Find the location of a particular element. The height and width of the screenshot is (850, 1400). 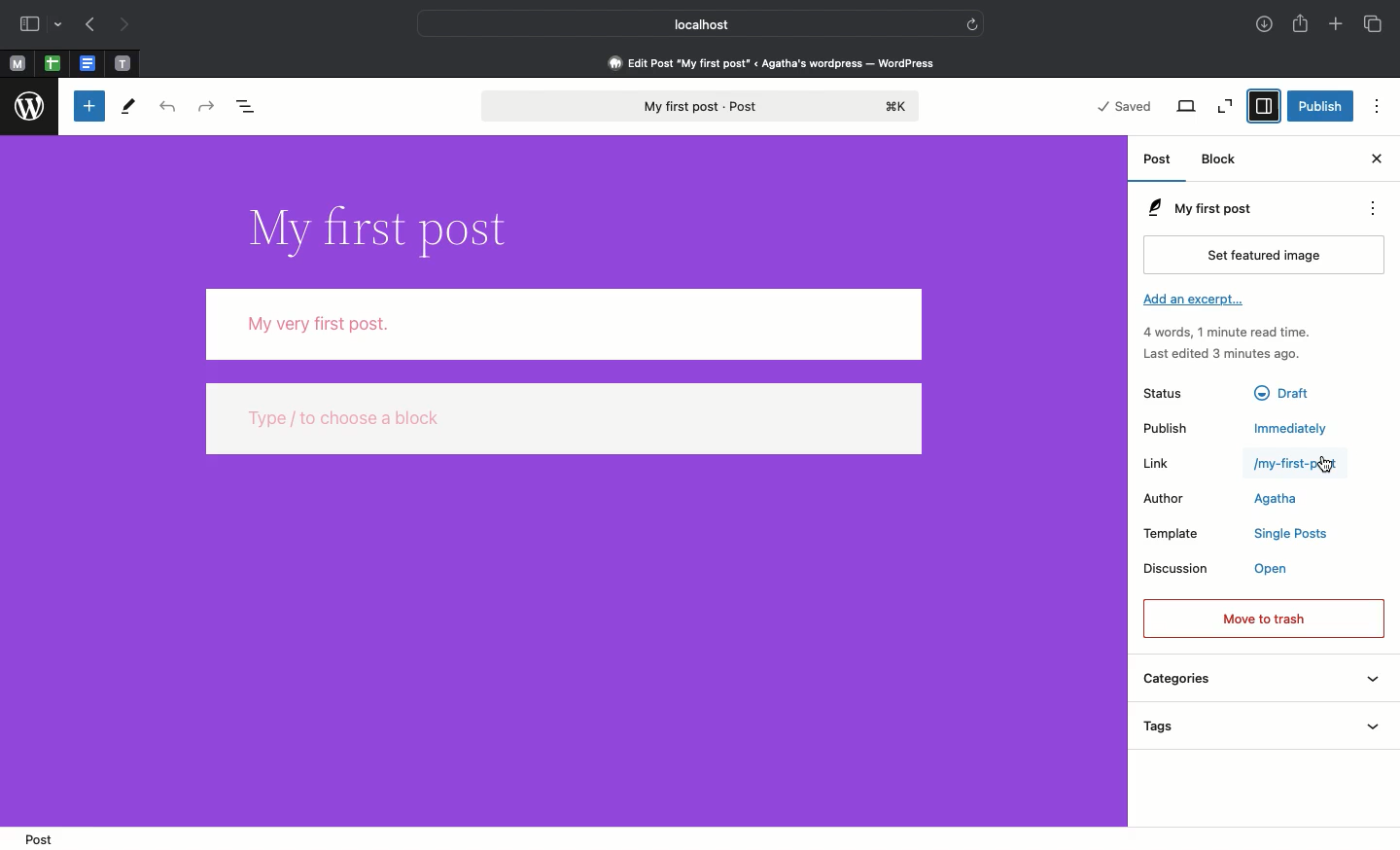

Move to trash is located at coordinates (1264, 620).